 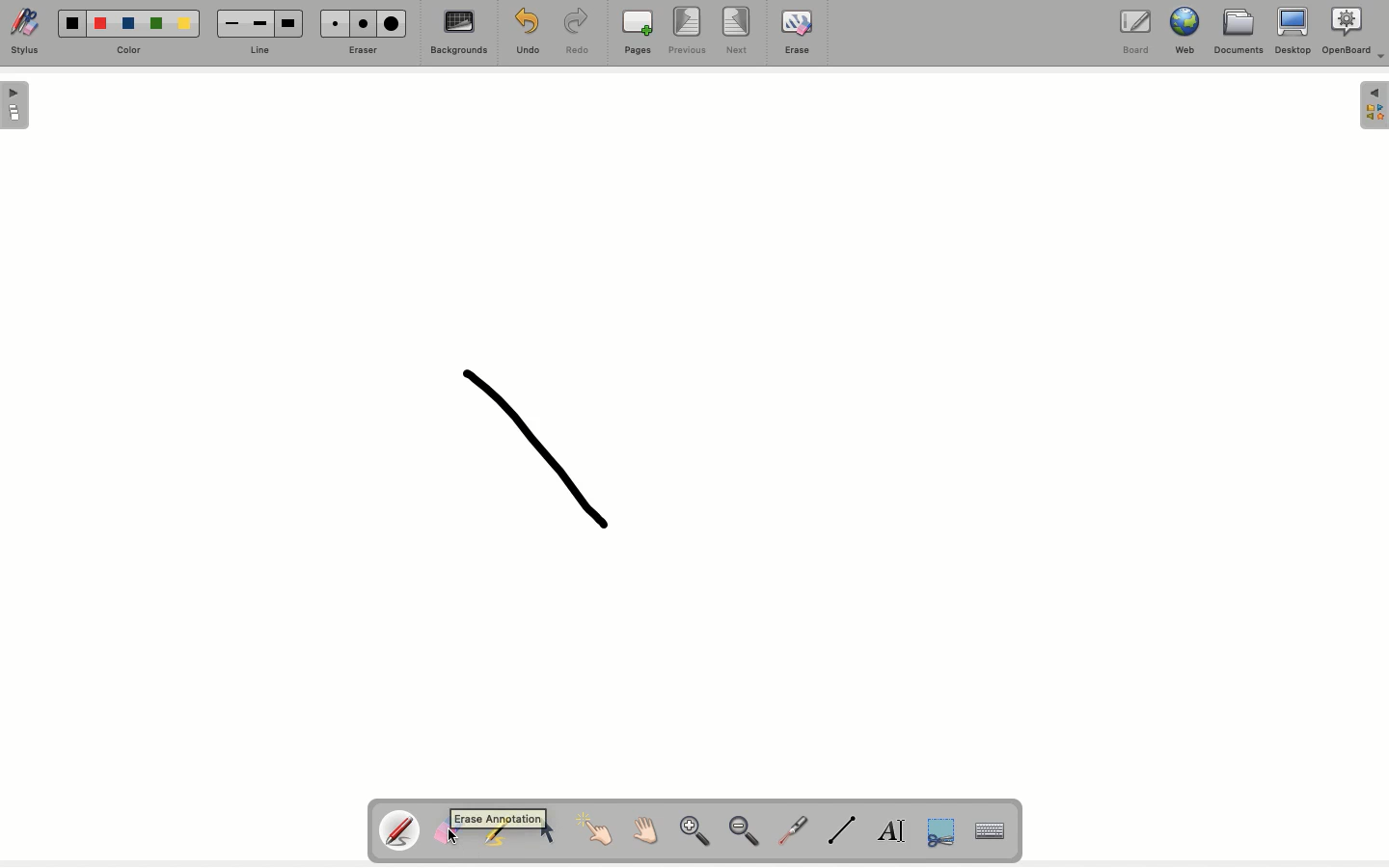 I want to click on Zoom out, so click(x=749, y=833).